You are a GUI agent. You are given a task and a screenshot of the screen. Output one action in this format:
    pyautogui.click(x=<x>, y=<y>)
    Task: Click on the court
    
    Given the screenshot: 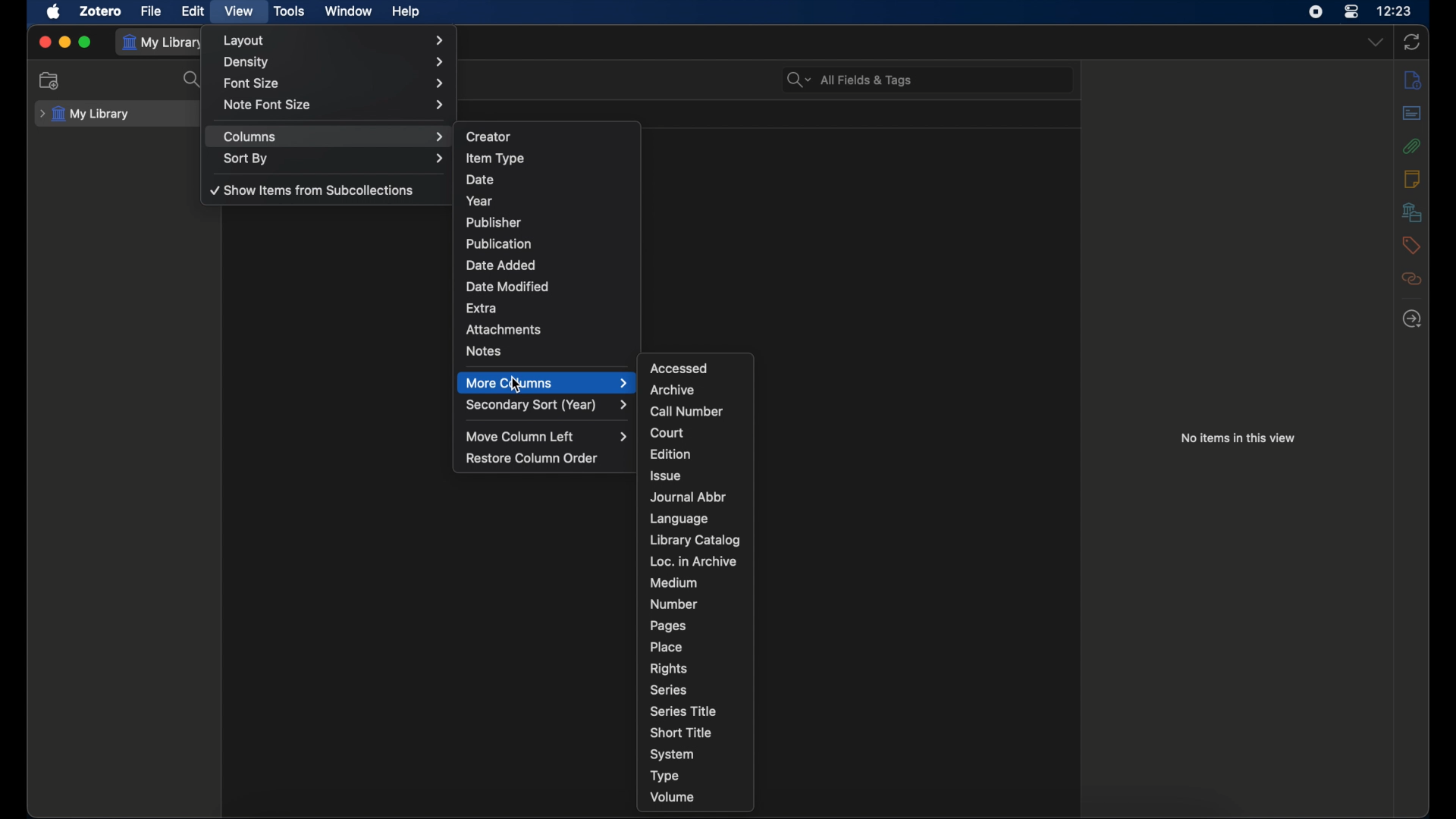 What is the action you would take?
    pyautogui.click(x=667, y=432)
    